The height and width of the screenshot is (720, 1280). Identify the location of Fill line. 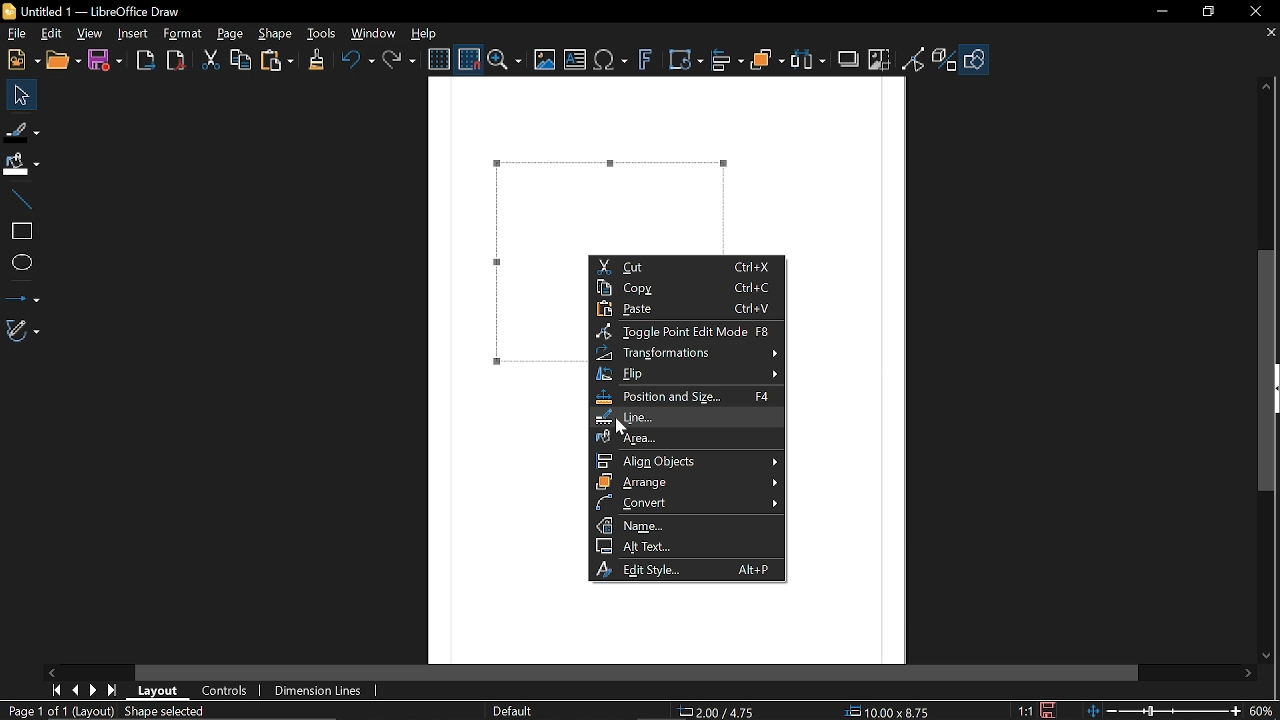
(22, 130).